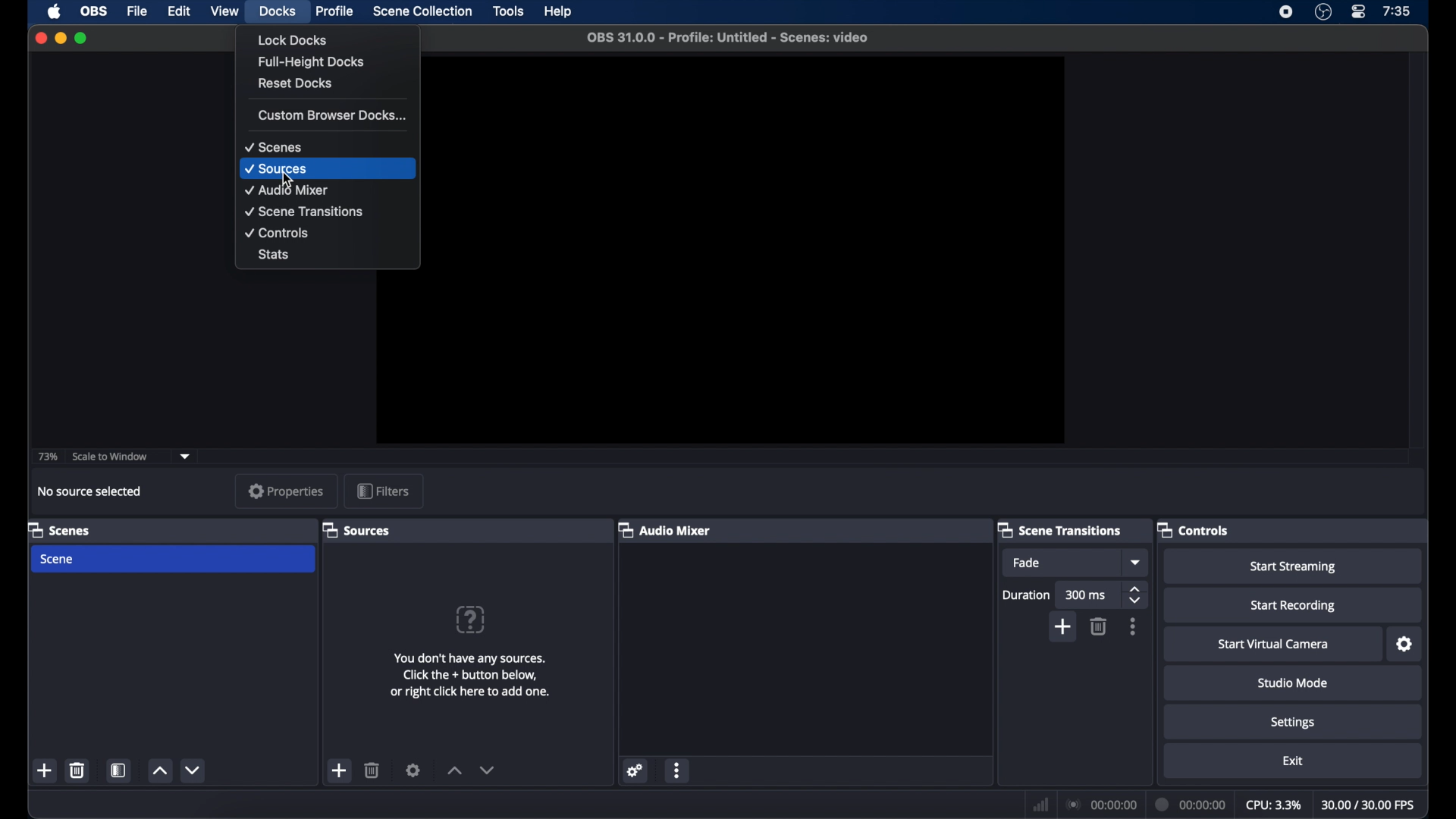 This screenshot has width=1456, height=819. Describe the element at coordinates (290, 190) in the screenshot. I see `audio mixer` at that location.